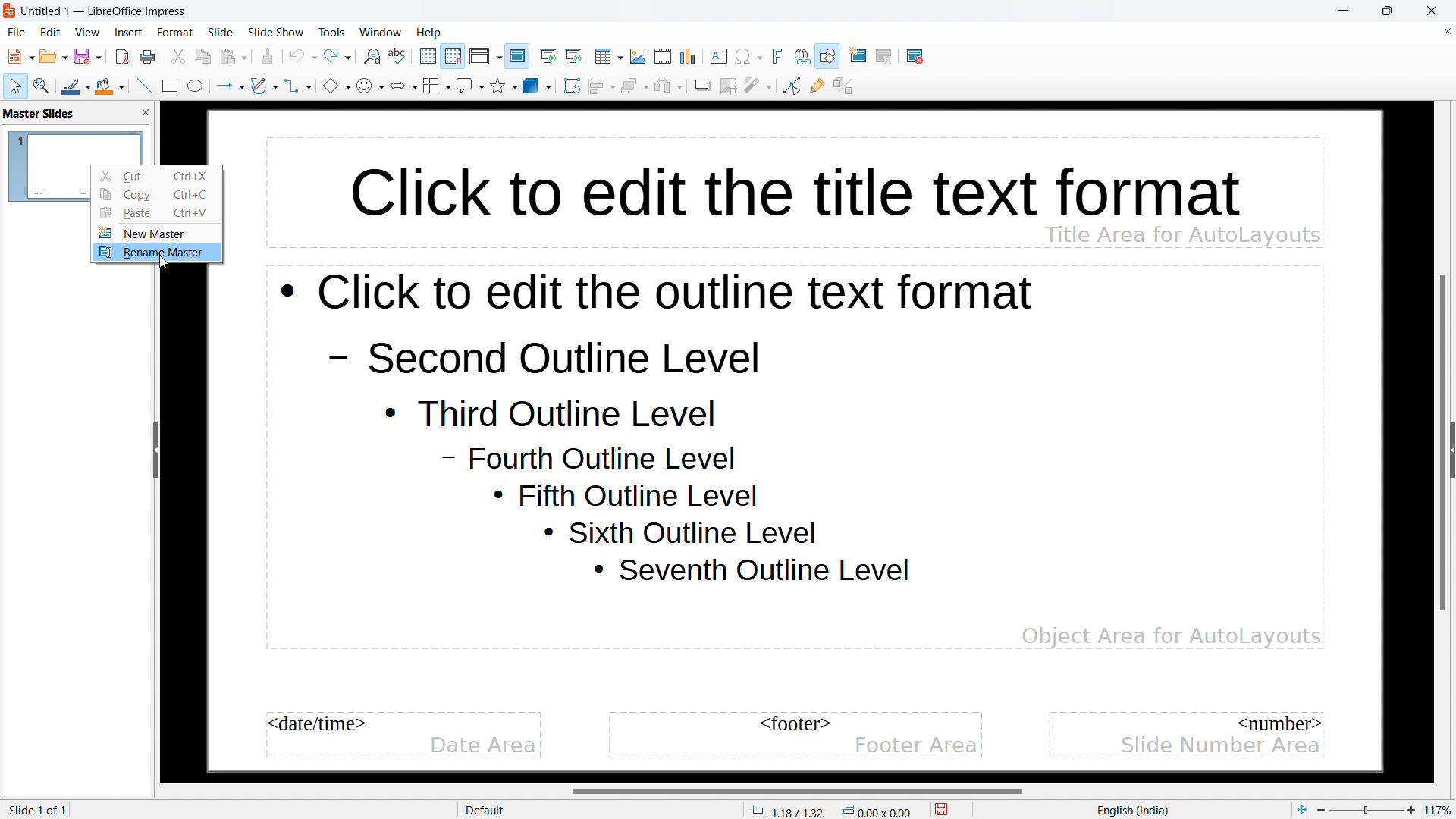 The width and height of the screenshot is (1456, 819). What do you see at coordinates (89, 56) in the screenshot?
I see `save` at bounding box center [89, 56].